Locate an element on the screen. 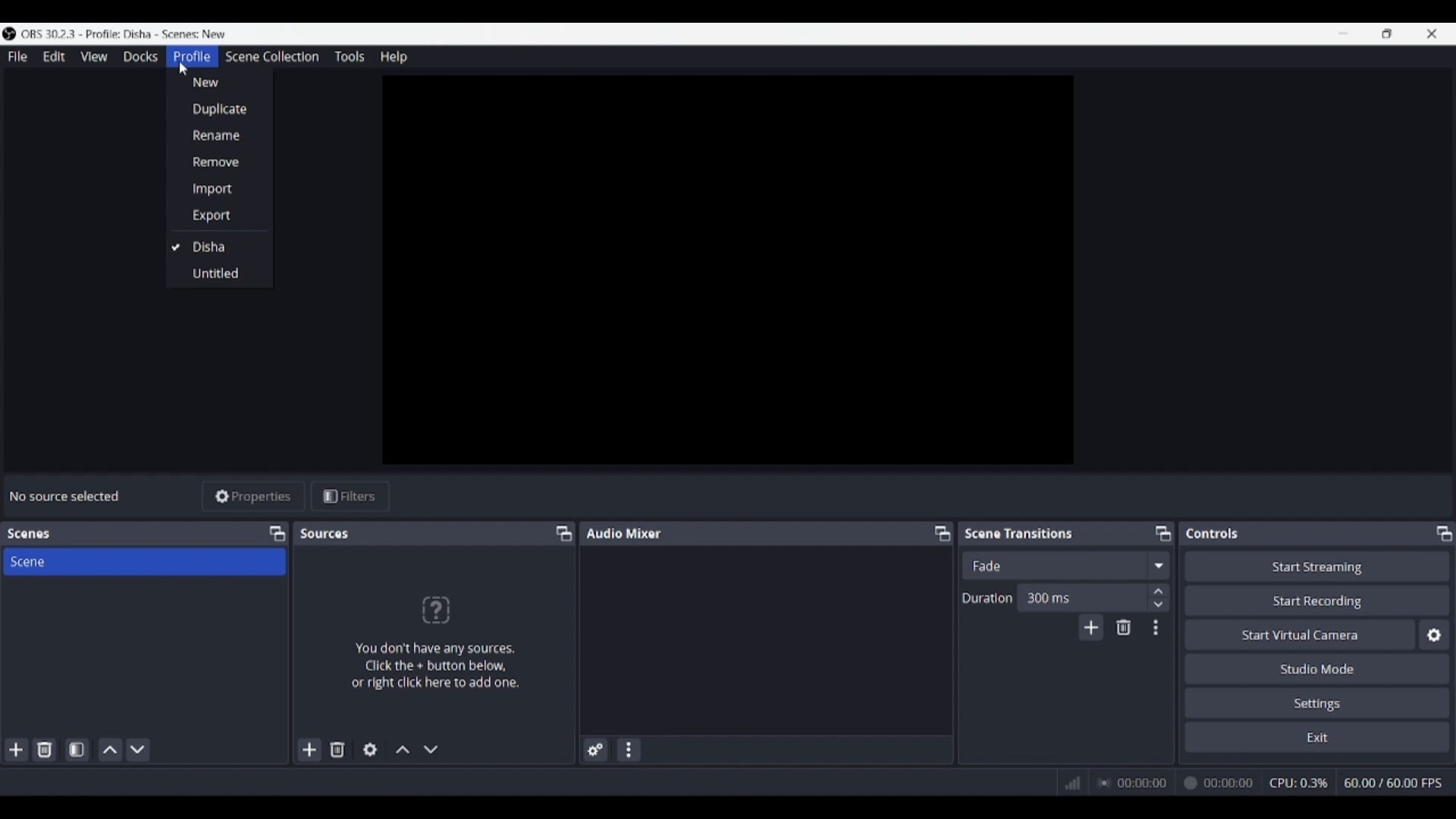  Network is located at coordinates (1068, 783).